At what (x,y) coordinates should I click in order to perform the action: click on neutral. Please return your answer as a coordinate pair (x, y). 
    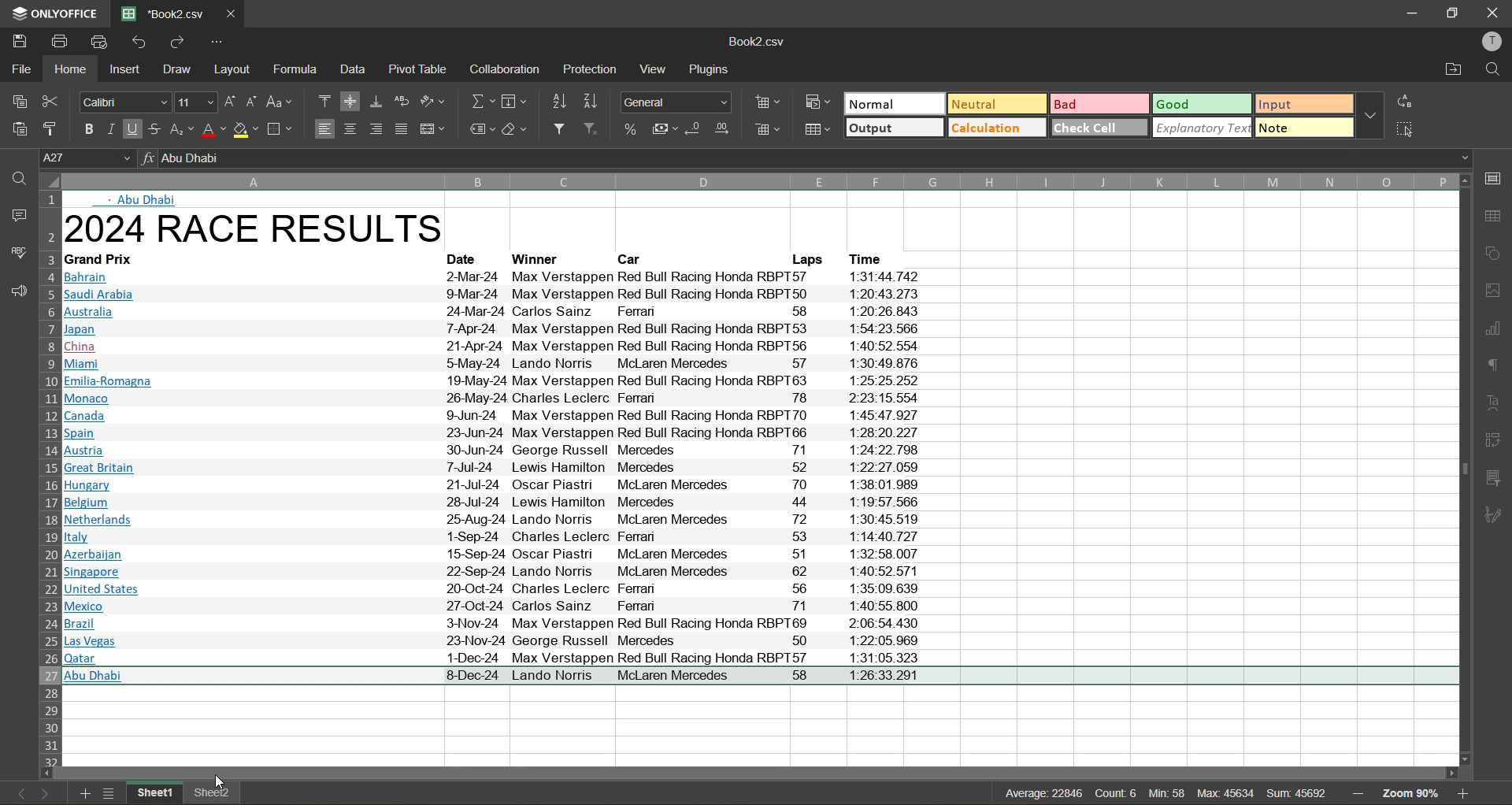
    Looking at the image, I should click on (994, 103).